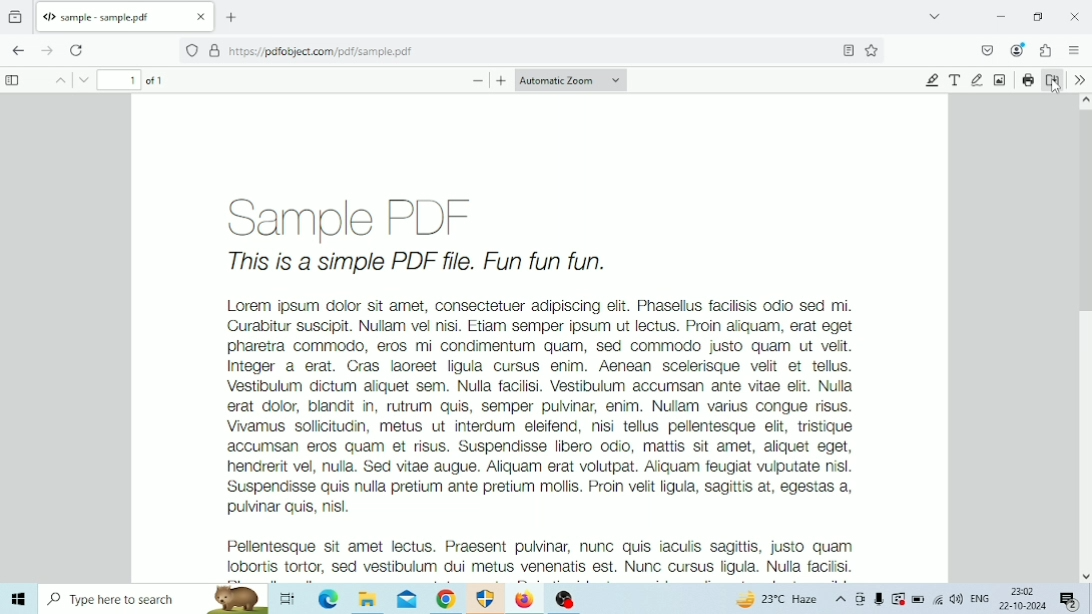 The image size is (1092, 614). What do you see at coordinates (919, 599) in the screenshot?
I see `Battery` at bounding box center [919, 599].